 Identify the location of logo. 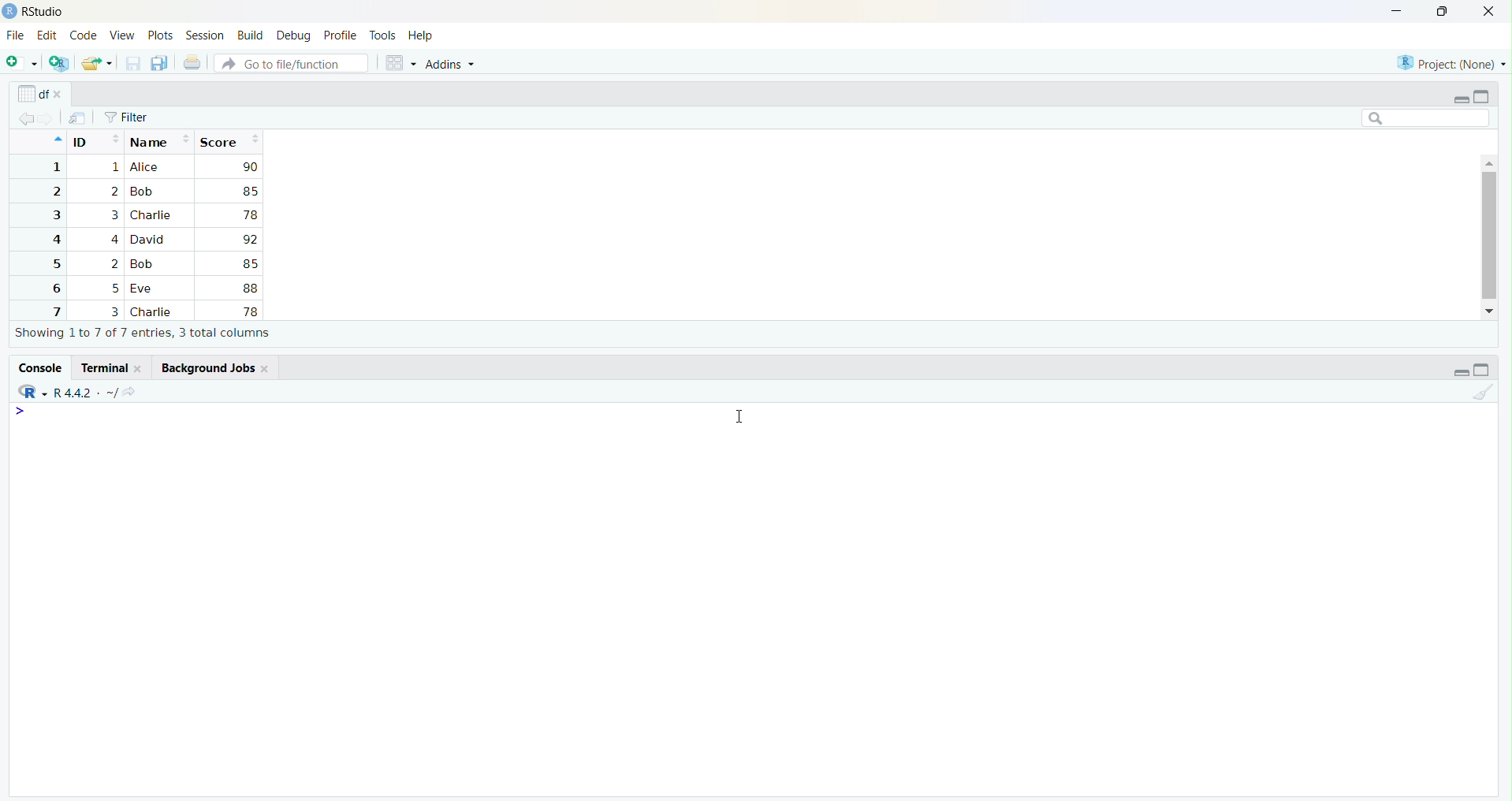
(9, 12).